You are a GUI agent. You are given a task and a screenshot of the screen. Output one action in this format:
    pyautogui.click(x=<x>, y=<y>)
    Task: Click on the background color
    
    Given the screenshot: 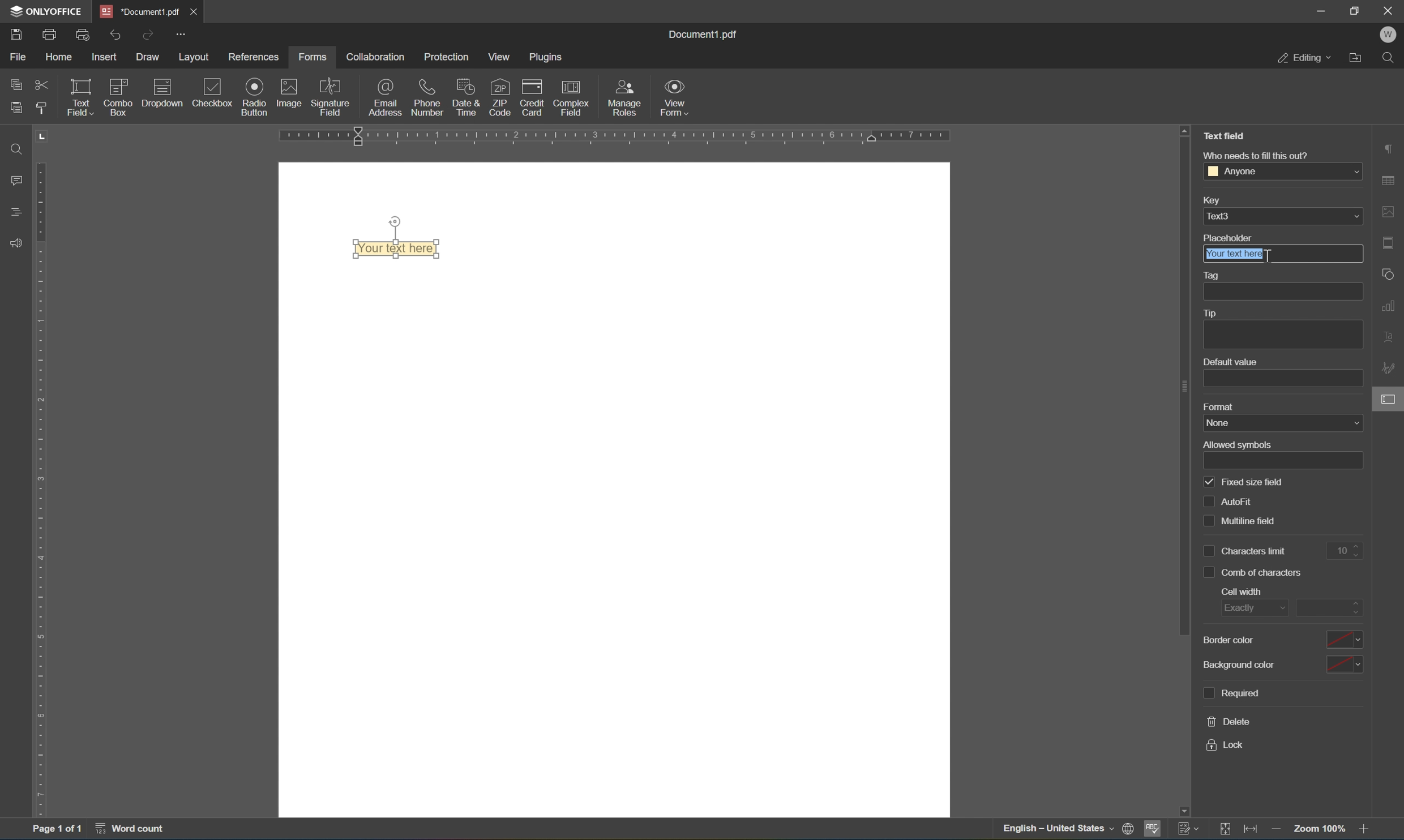 What is the action you would take?
    pyautogui.click(x=1284, y=663)
    